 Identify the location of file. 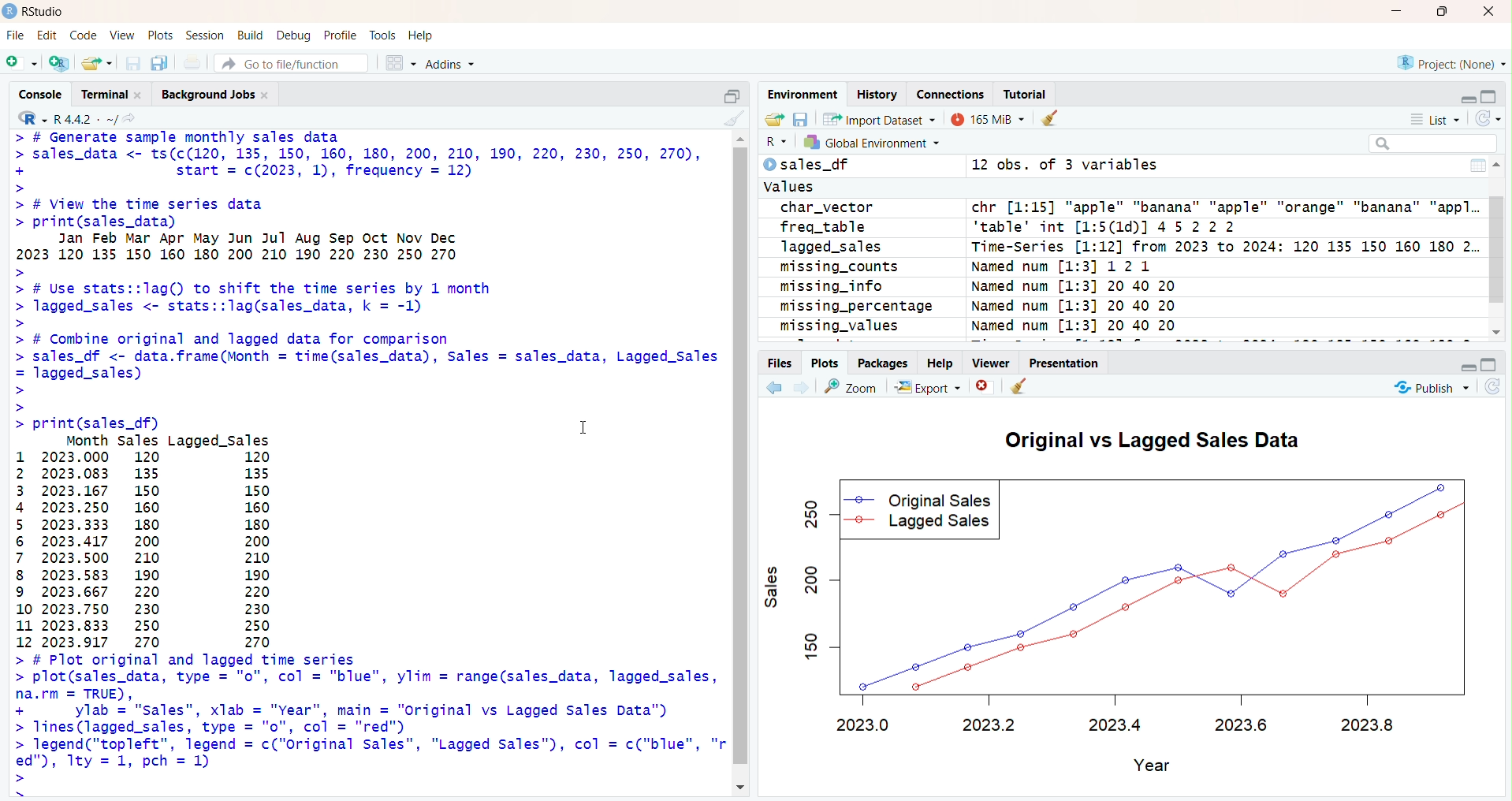
(13, 35).